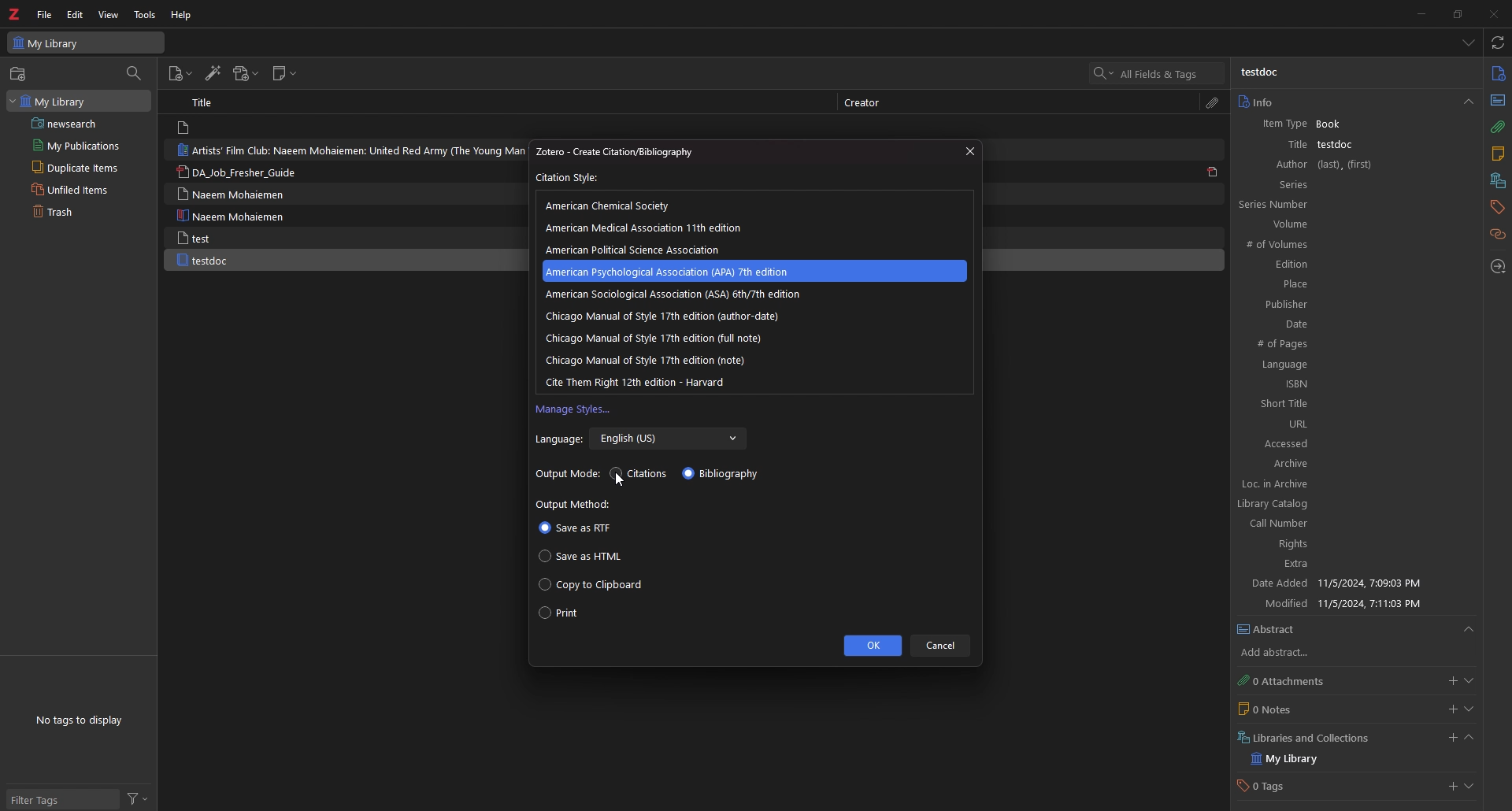 The width and height of the screenshot is (1512, 811). I want to click on my library, so click(77, 100).